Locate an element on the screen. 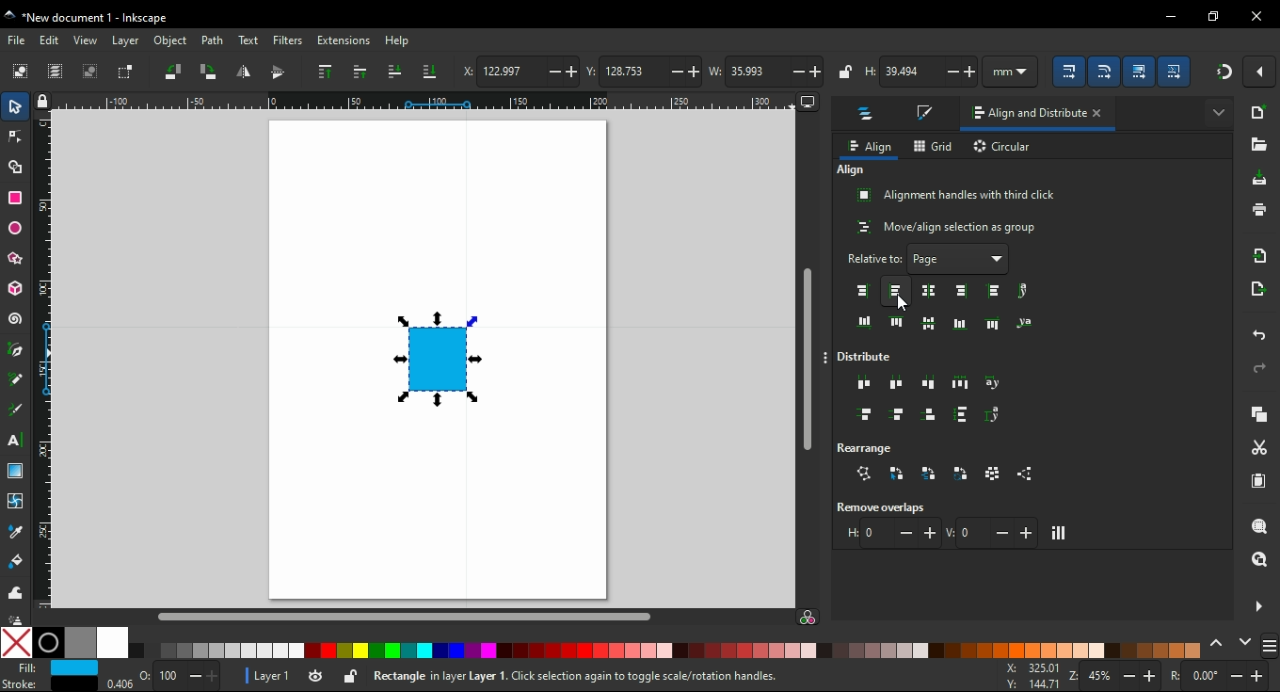 The height and width of the screenshot is (692, 1280). distribute is located at coordinates (869, 355).